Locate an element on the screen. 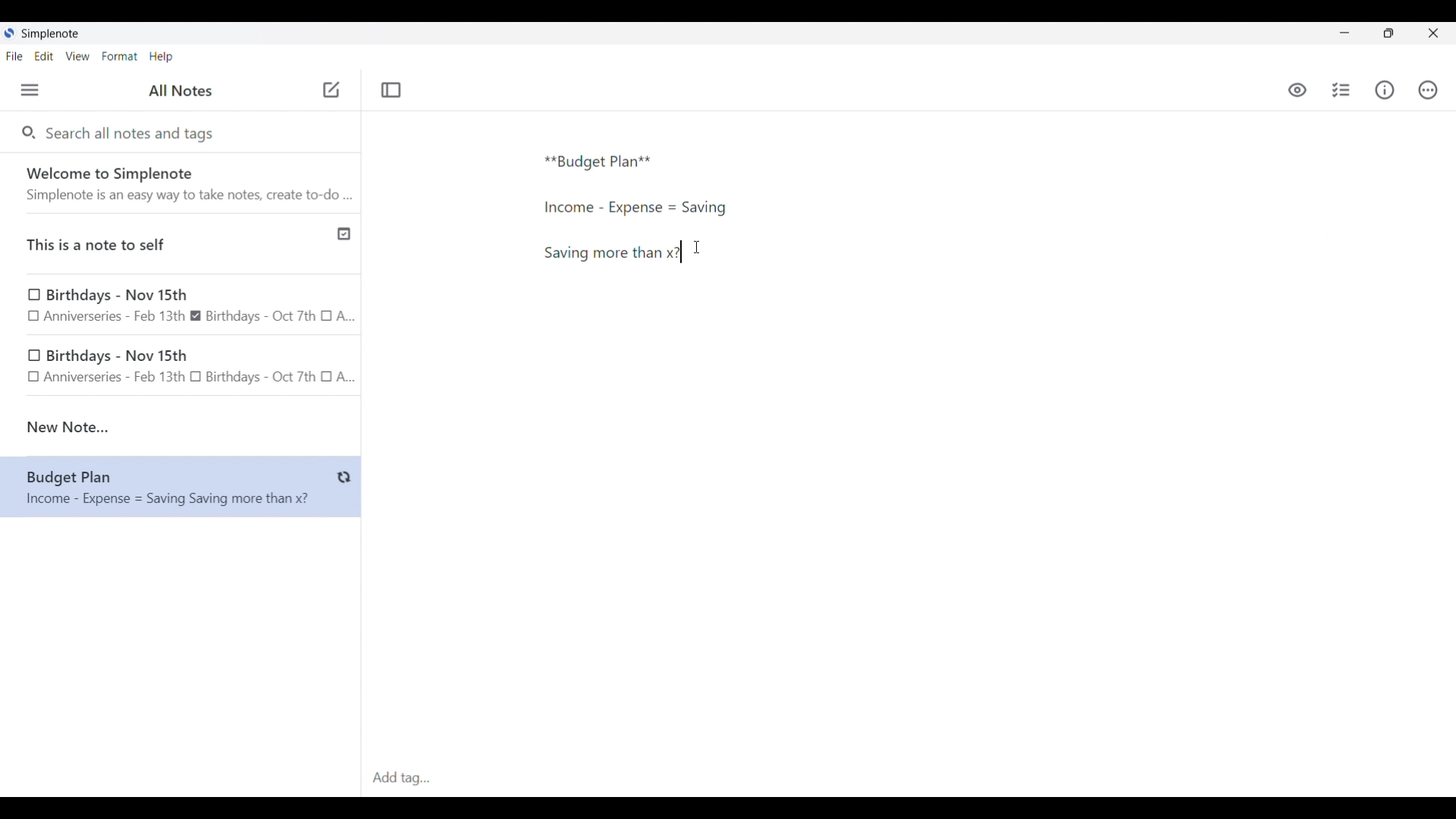 Image resolution: width=1456 pixels, height=819 pixels. birthday note is located at coordinates (182, 369).